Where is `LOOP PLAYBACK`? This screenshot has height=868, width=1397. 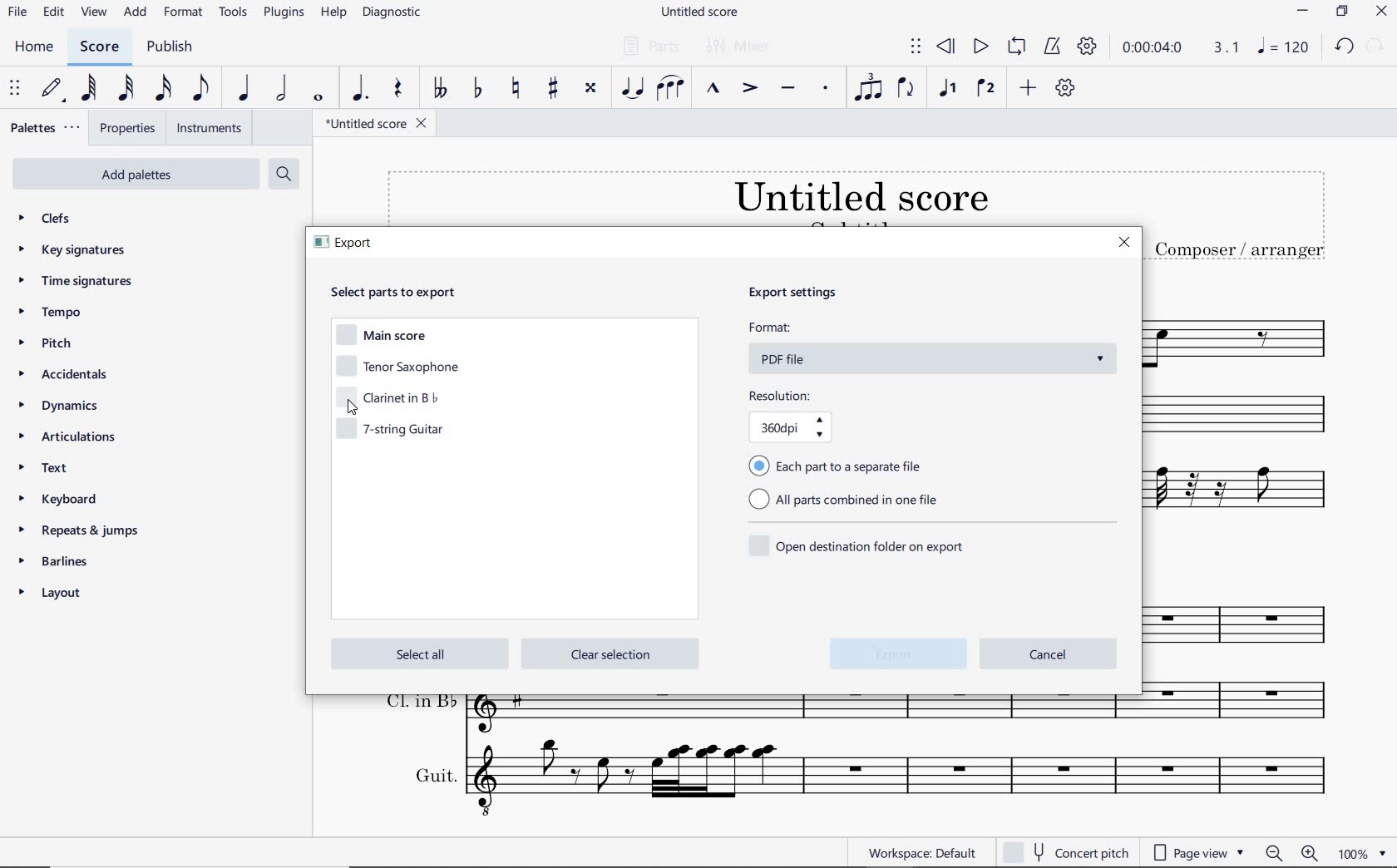 LOOP PLAYBACK is located at coordinates (1015, 48).